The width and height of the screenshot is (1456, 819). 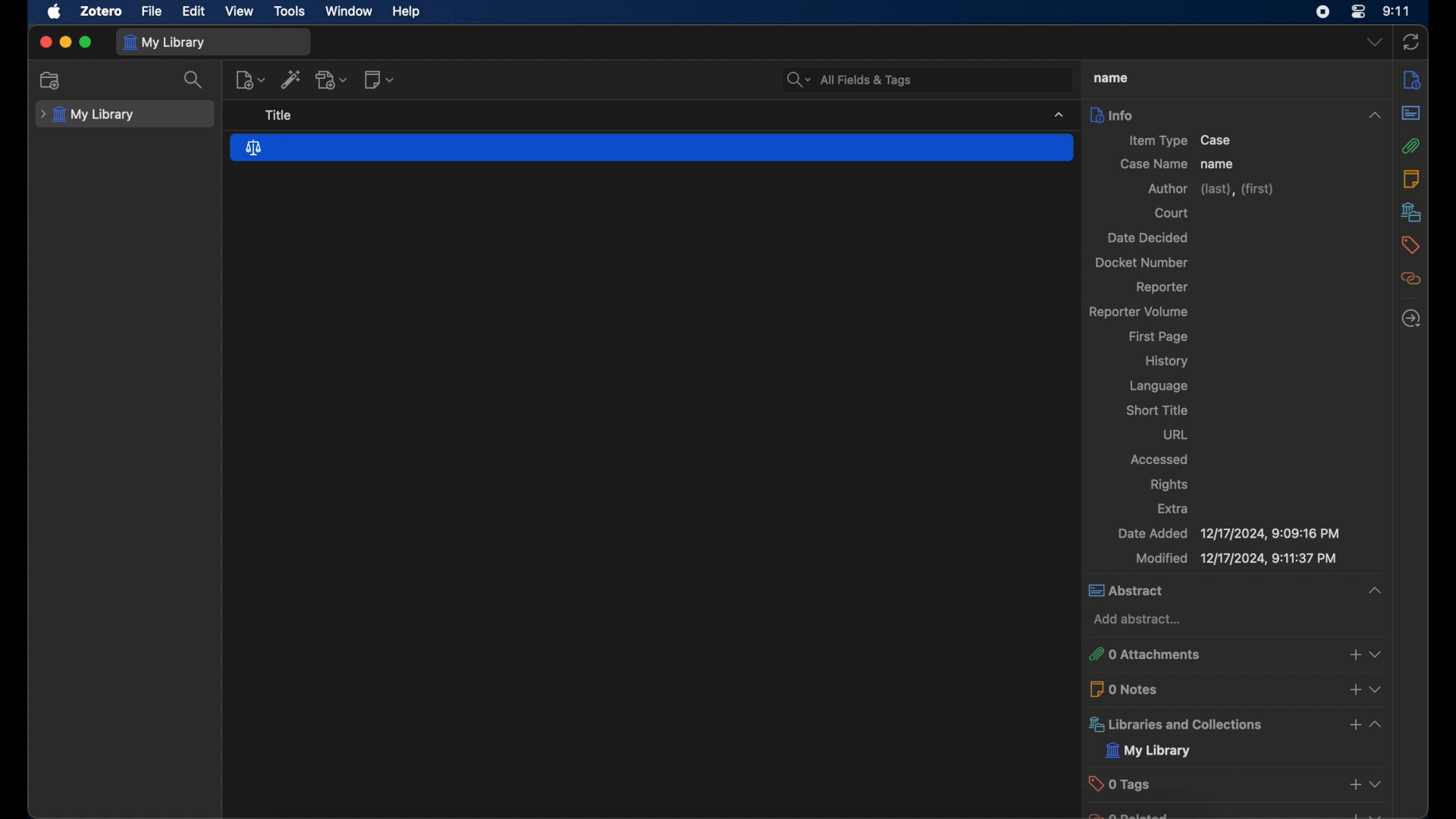 I want to click on accessed, so click(x=1159, y=460).